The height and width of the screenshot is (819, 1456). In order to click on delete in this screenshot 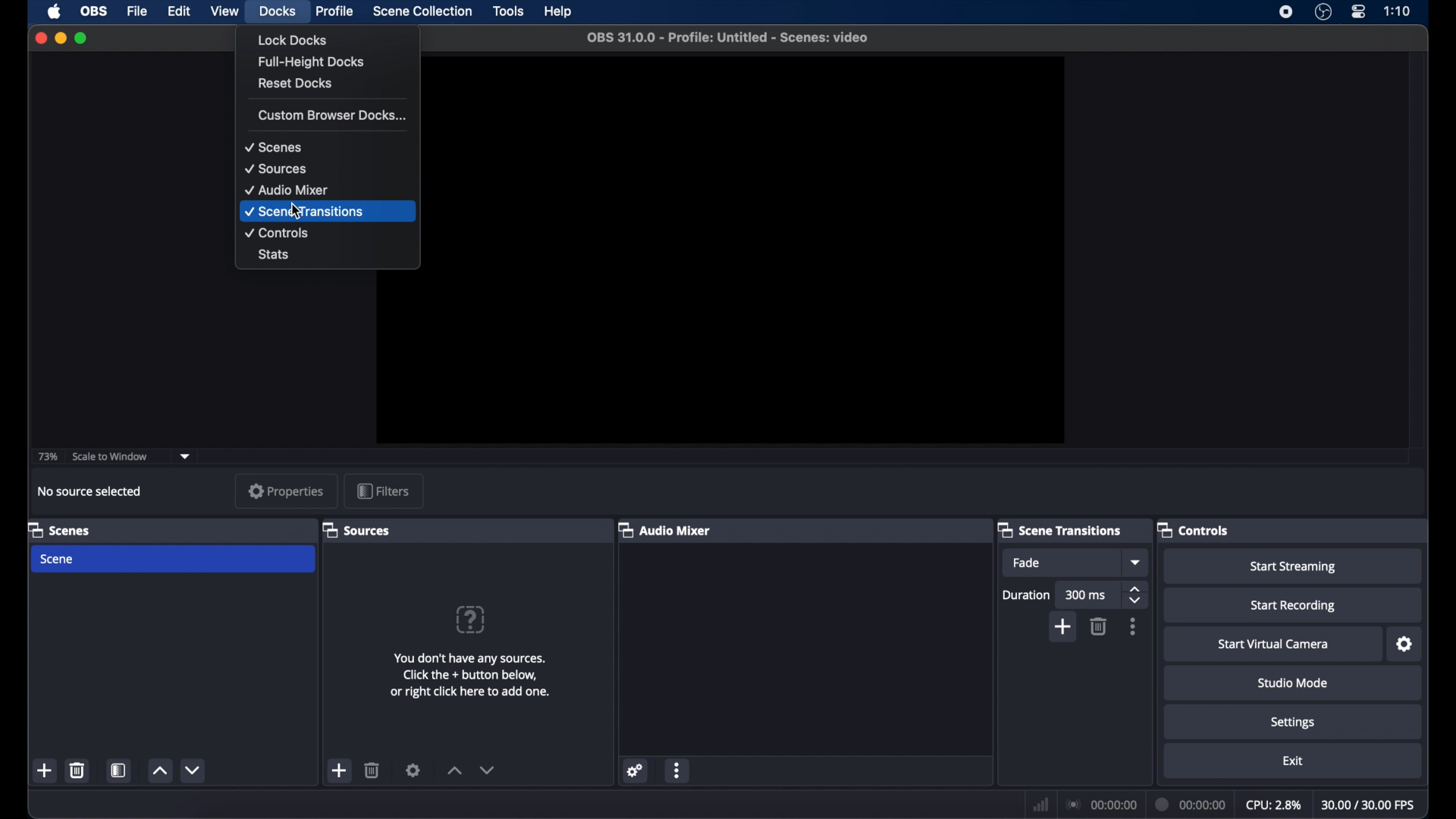, I will do `click(1098, 626)`.